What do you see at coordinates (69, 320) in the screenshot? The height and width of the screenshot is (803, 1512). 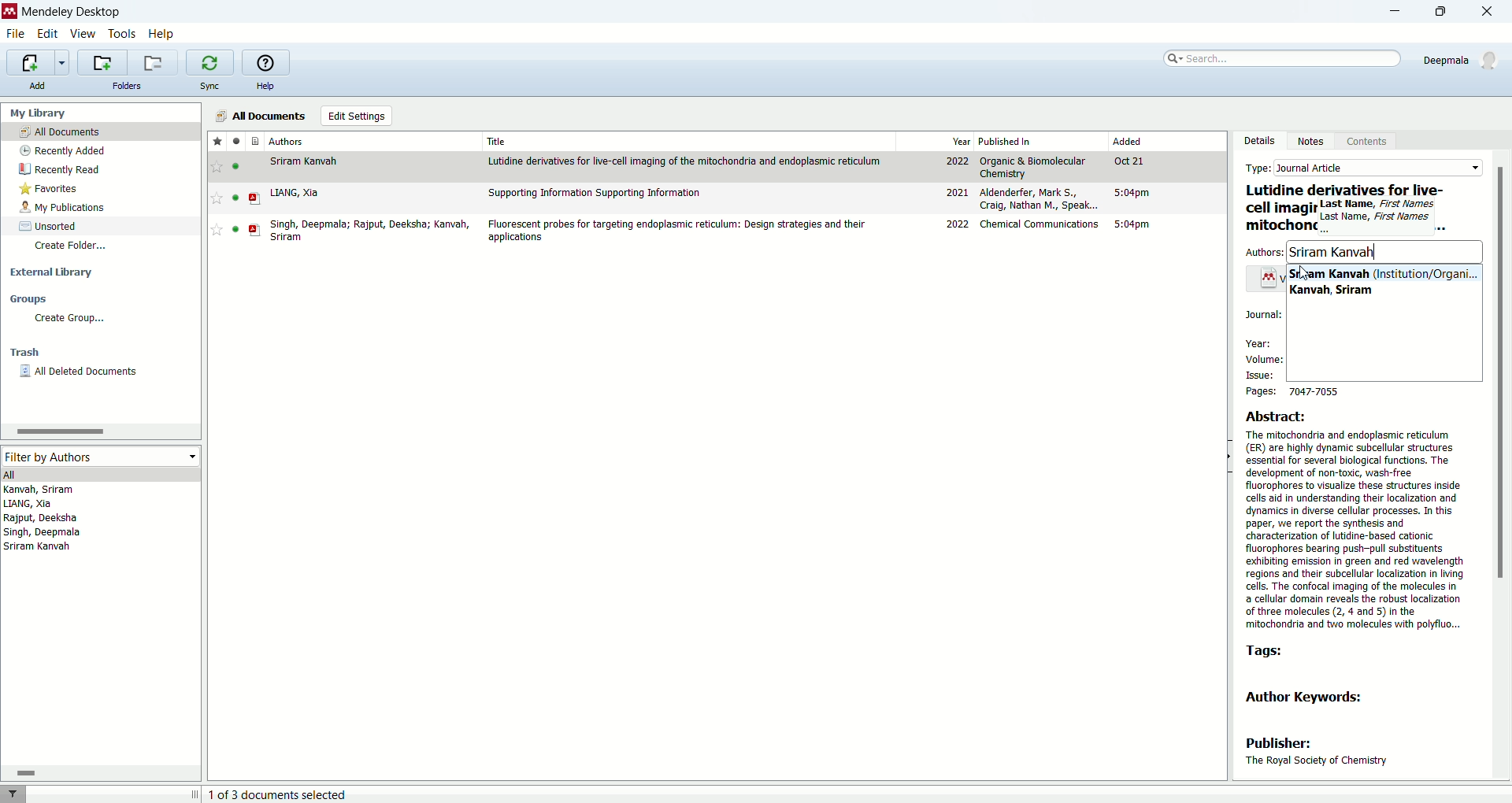 I see `create group` at bounding box center [69, 320].